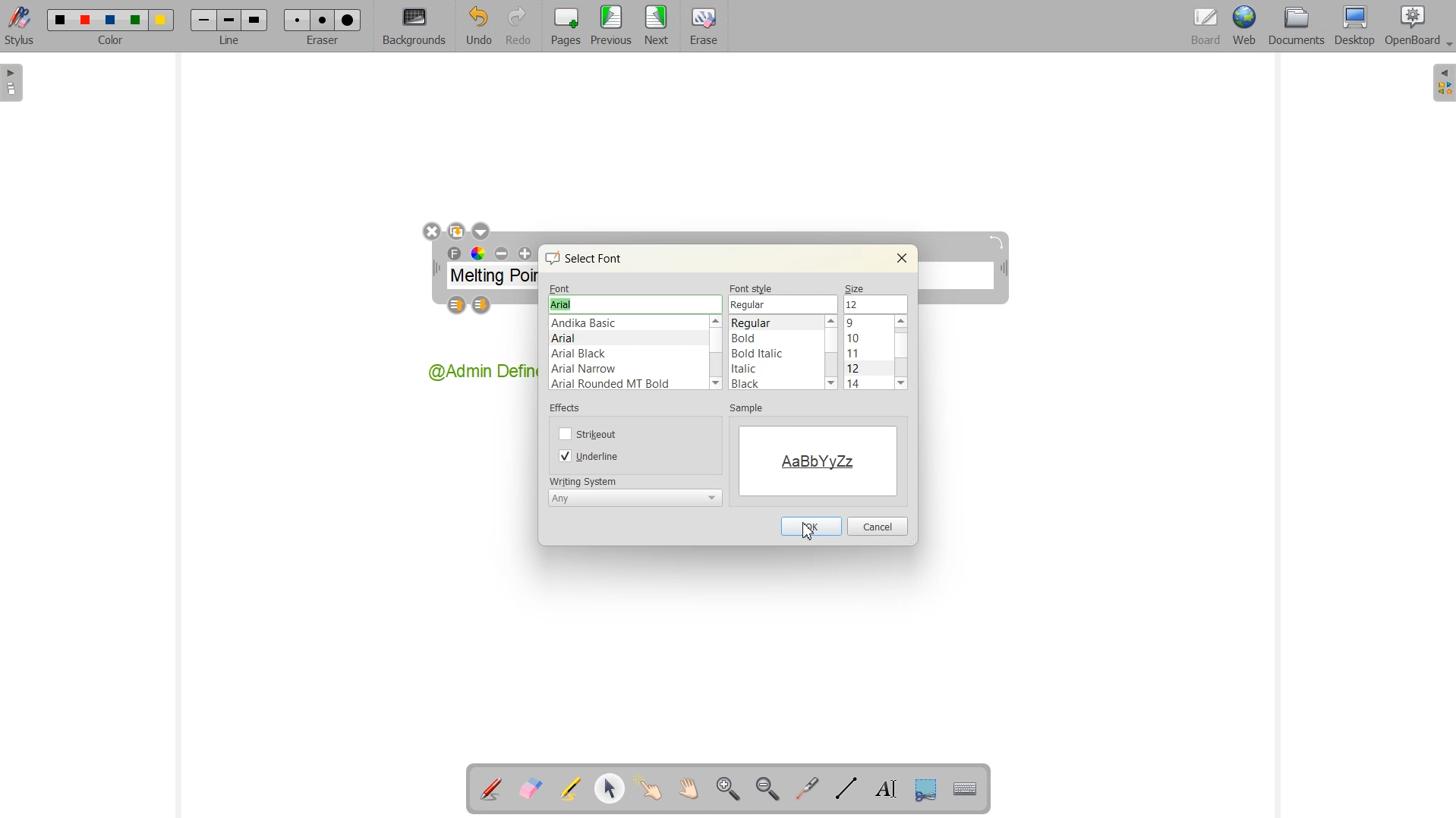  I want to click on effects, so click(568, 411).